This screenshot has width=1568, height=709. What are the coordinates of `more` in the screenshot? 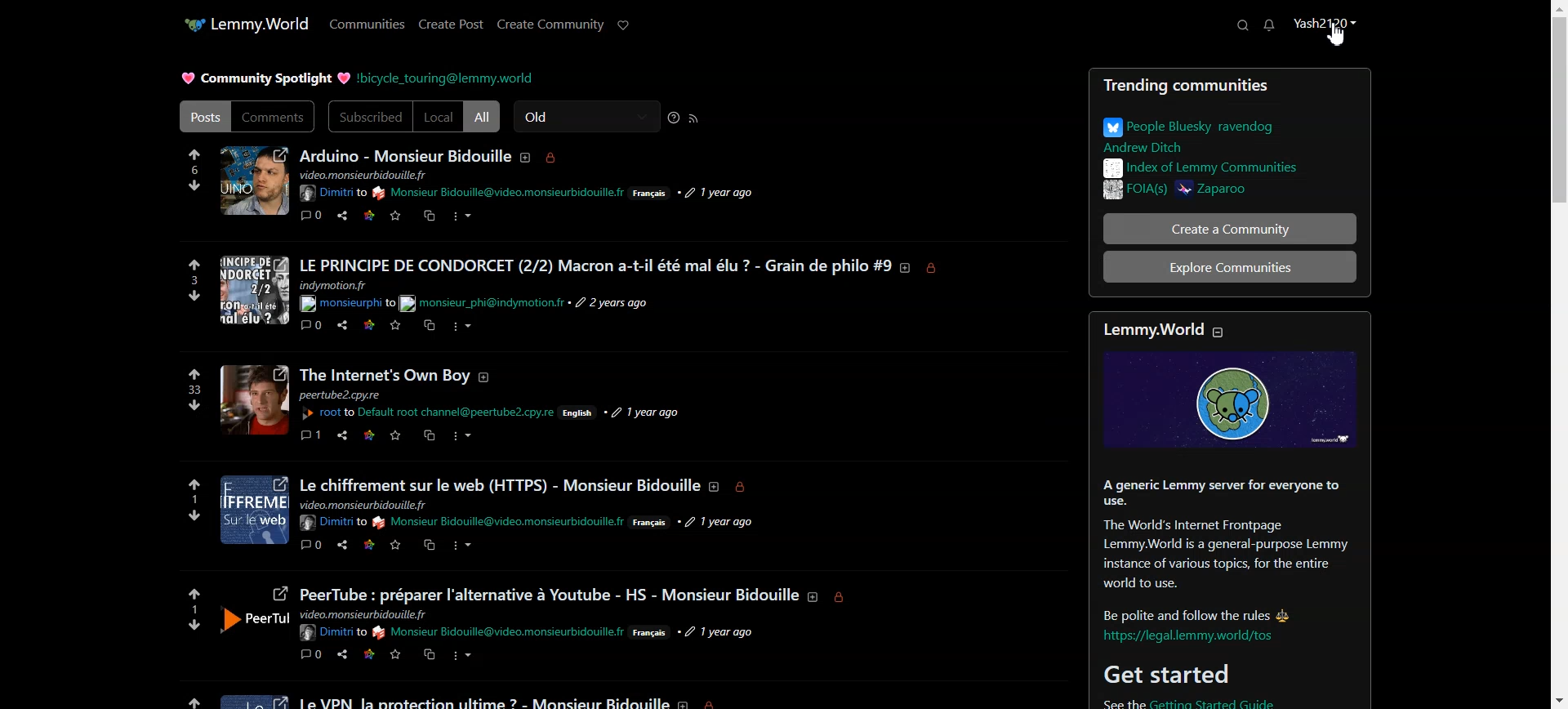 It's located at (467, 436).